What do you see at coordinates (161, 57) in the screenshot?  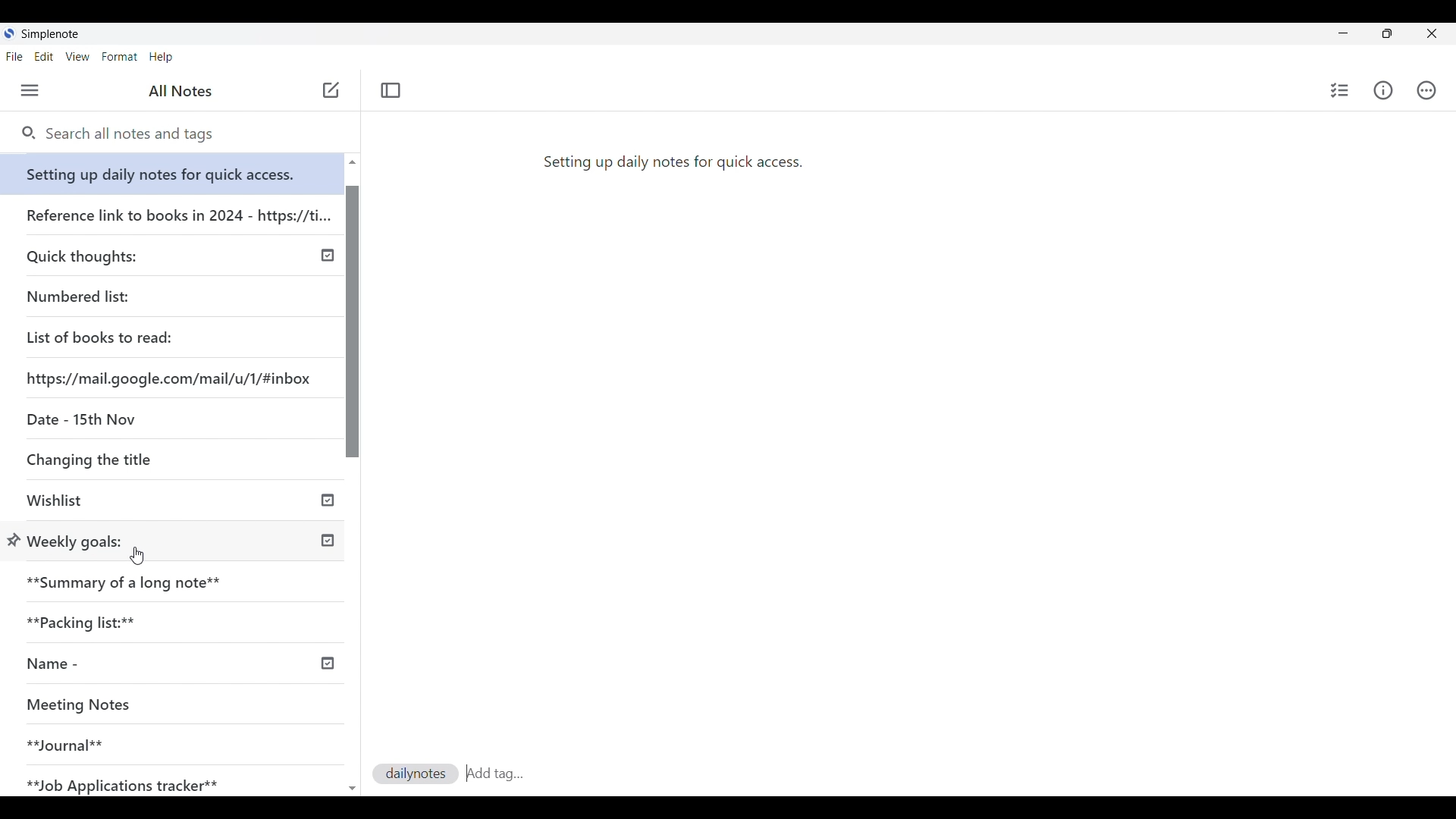 I see `Help menu` at bounding box center [161, 57].